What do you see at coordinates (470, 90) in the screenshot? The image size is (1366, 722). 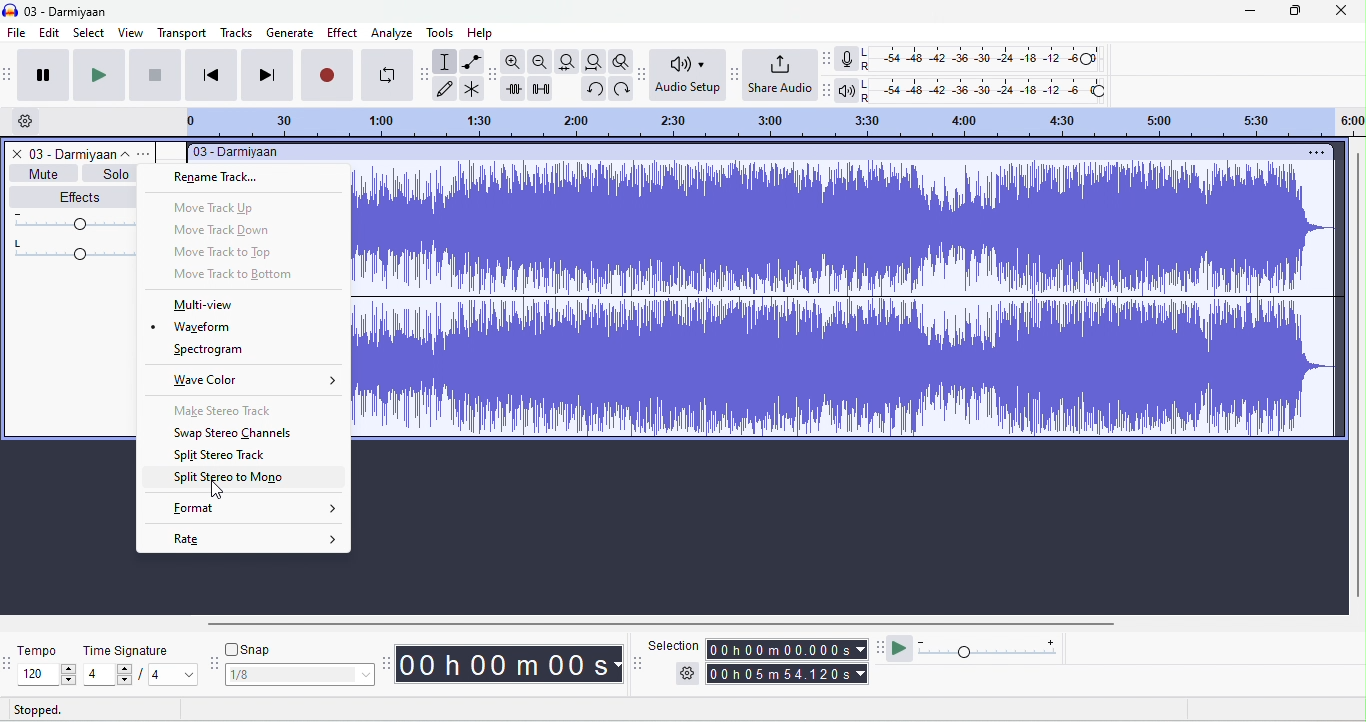 I see `multi tool` at bounding box center [470, 90].